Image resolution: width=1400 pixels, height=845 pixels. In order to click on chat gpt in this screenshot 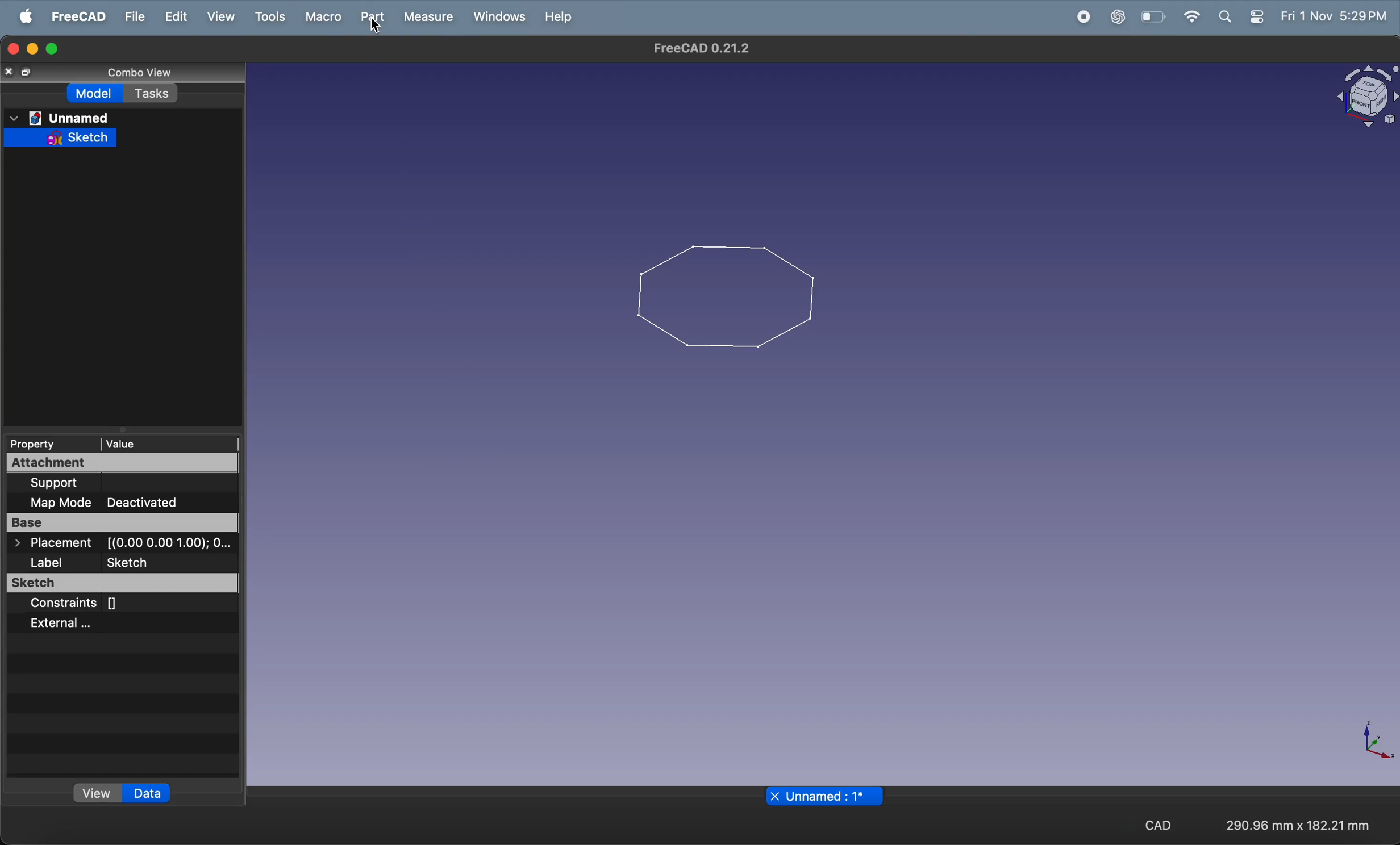, I will do `click(1116, 17)`.